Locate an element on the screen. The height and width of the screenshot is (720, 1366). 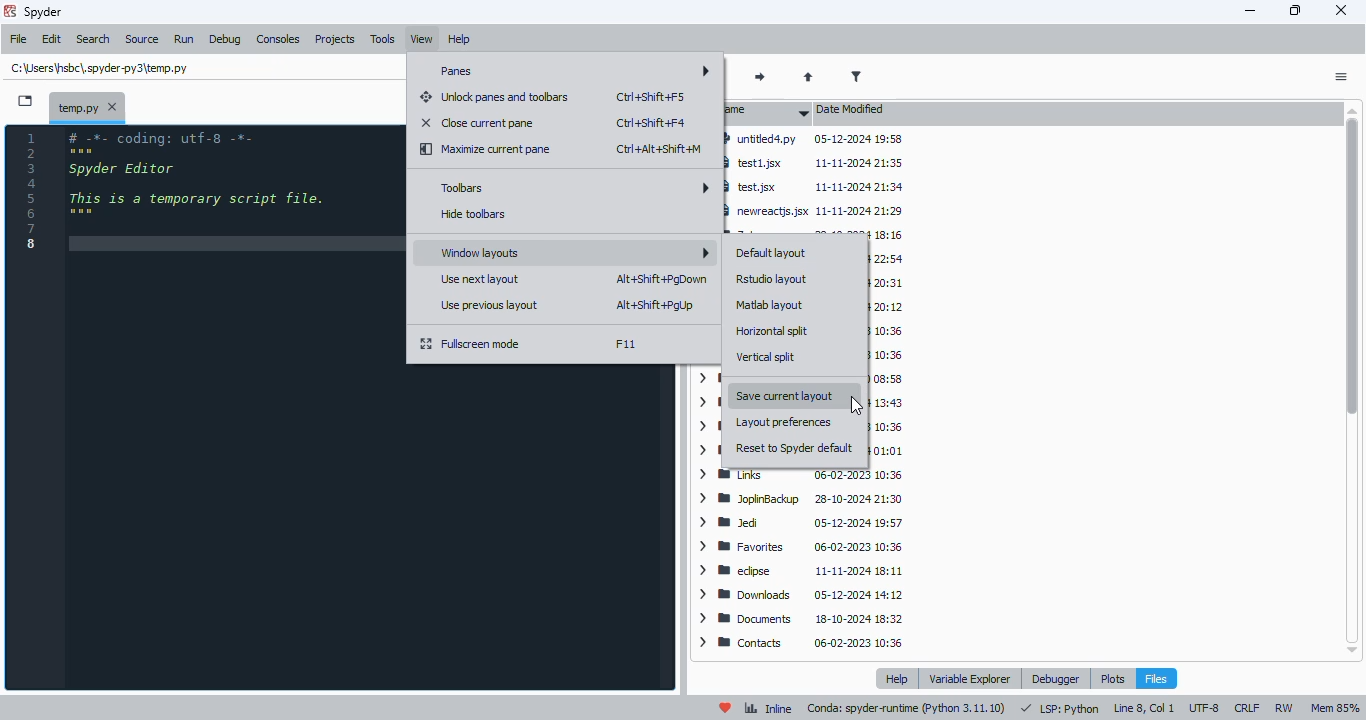
debugger is located at coordinates (1056, 679).